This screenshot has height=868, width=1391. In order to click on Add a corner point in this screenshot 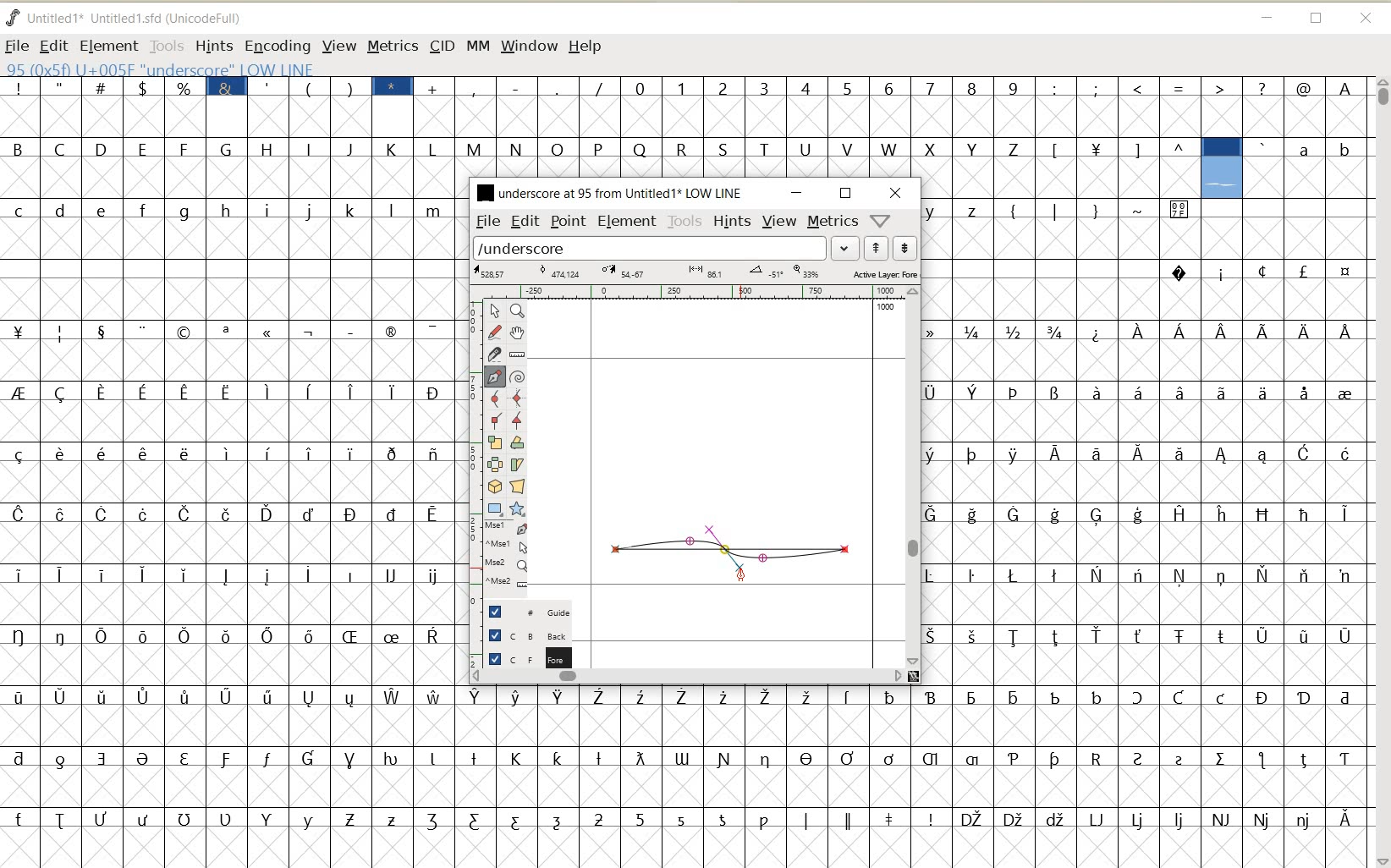, I will do `click(496, 420)`.